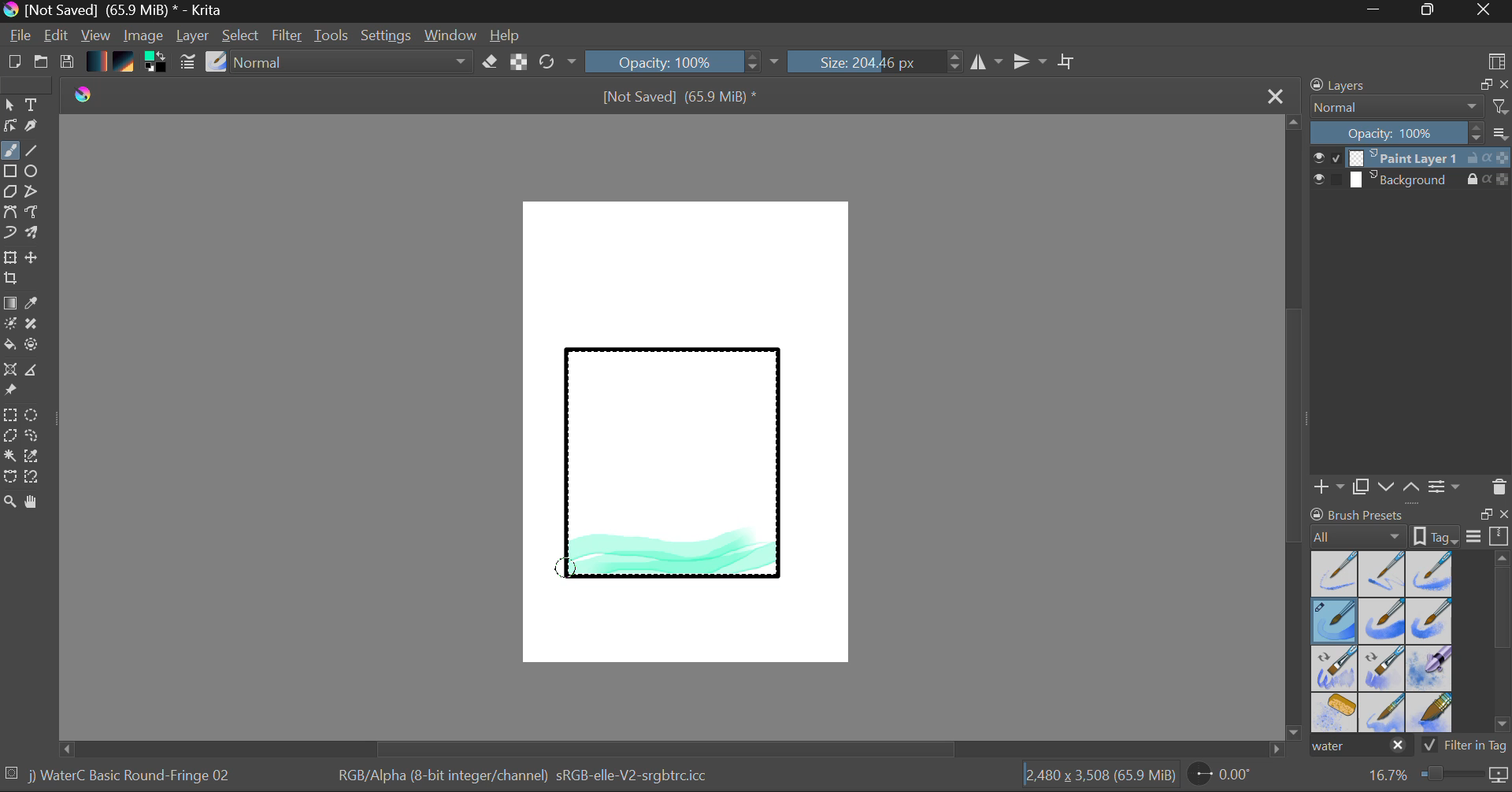 This screenshot has width=1512, height=792. What do you see at coordinates (1430, 621) in the screenshot?
I see `Water C - Grunge` at bounding box center [1430, 621].